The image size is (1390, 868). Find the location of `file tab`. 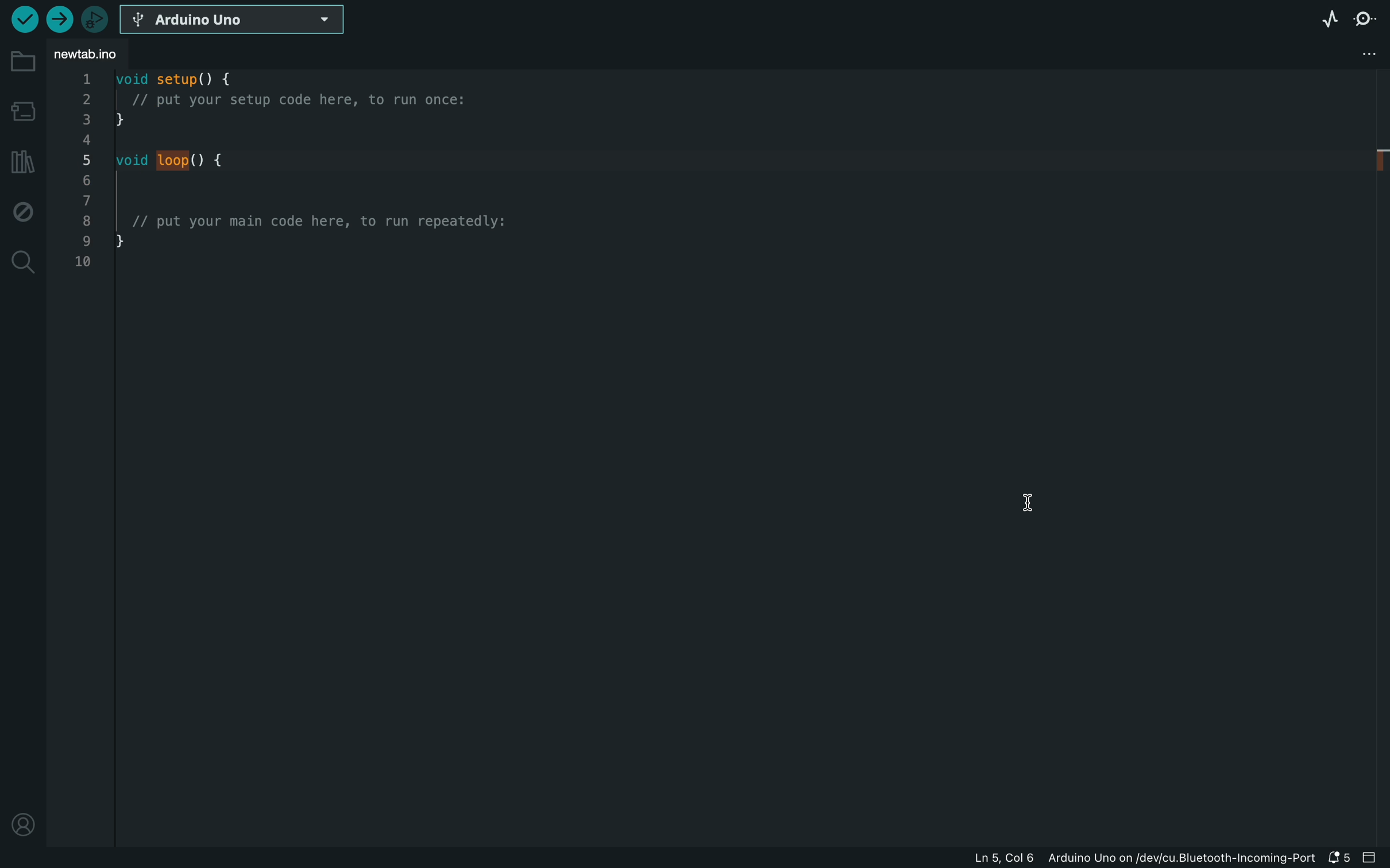

file tab is located at coordinates (94, 54).